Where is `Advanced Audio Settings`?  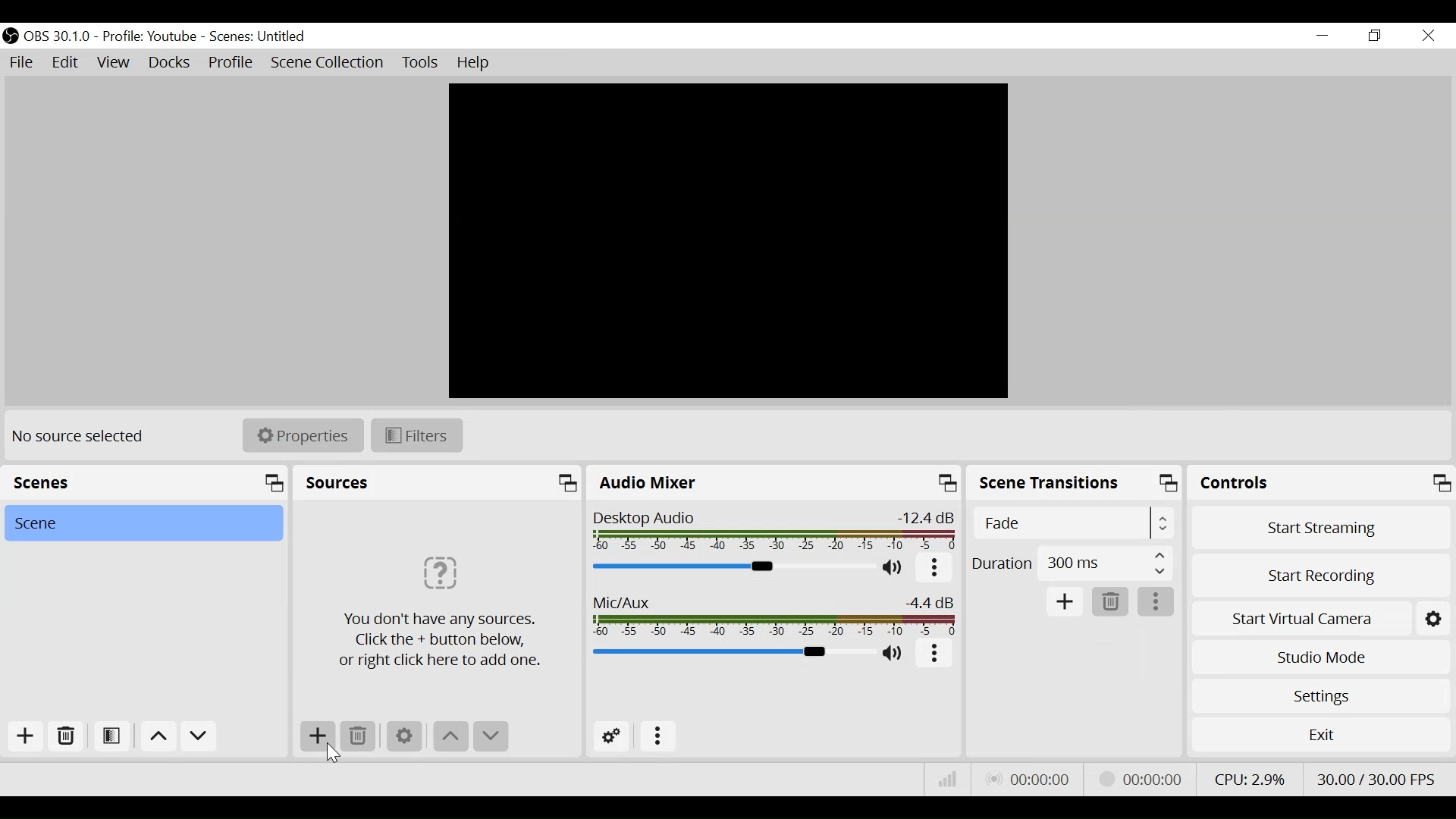
Advanced Audio Settings is located at coordinates (612, 736).